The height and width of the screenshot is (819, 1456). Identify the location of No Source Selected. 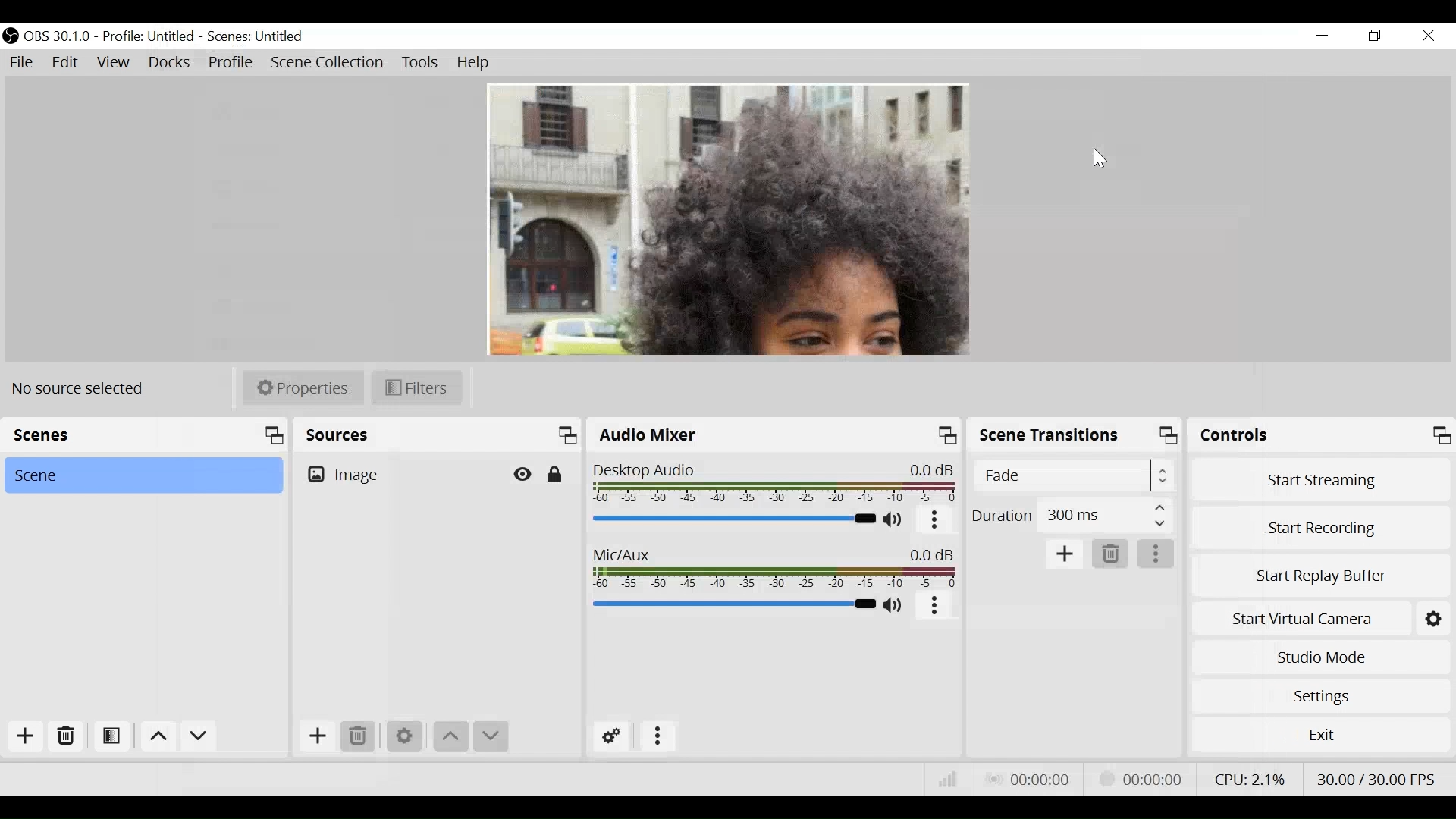
(83, 388).